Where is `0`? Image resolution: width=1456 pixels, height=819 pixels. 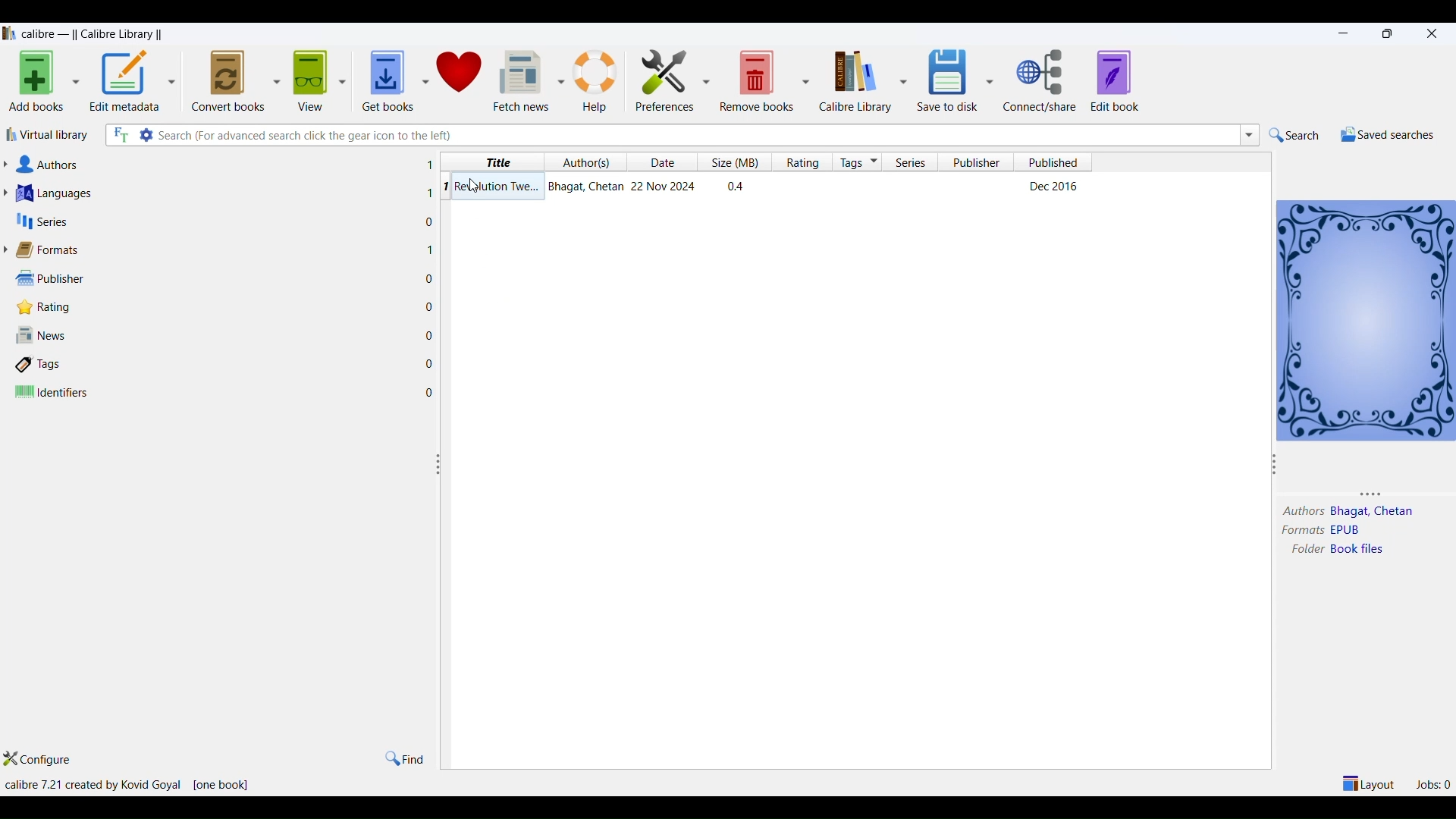 0 is located at coordinates (431, 221).